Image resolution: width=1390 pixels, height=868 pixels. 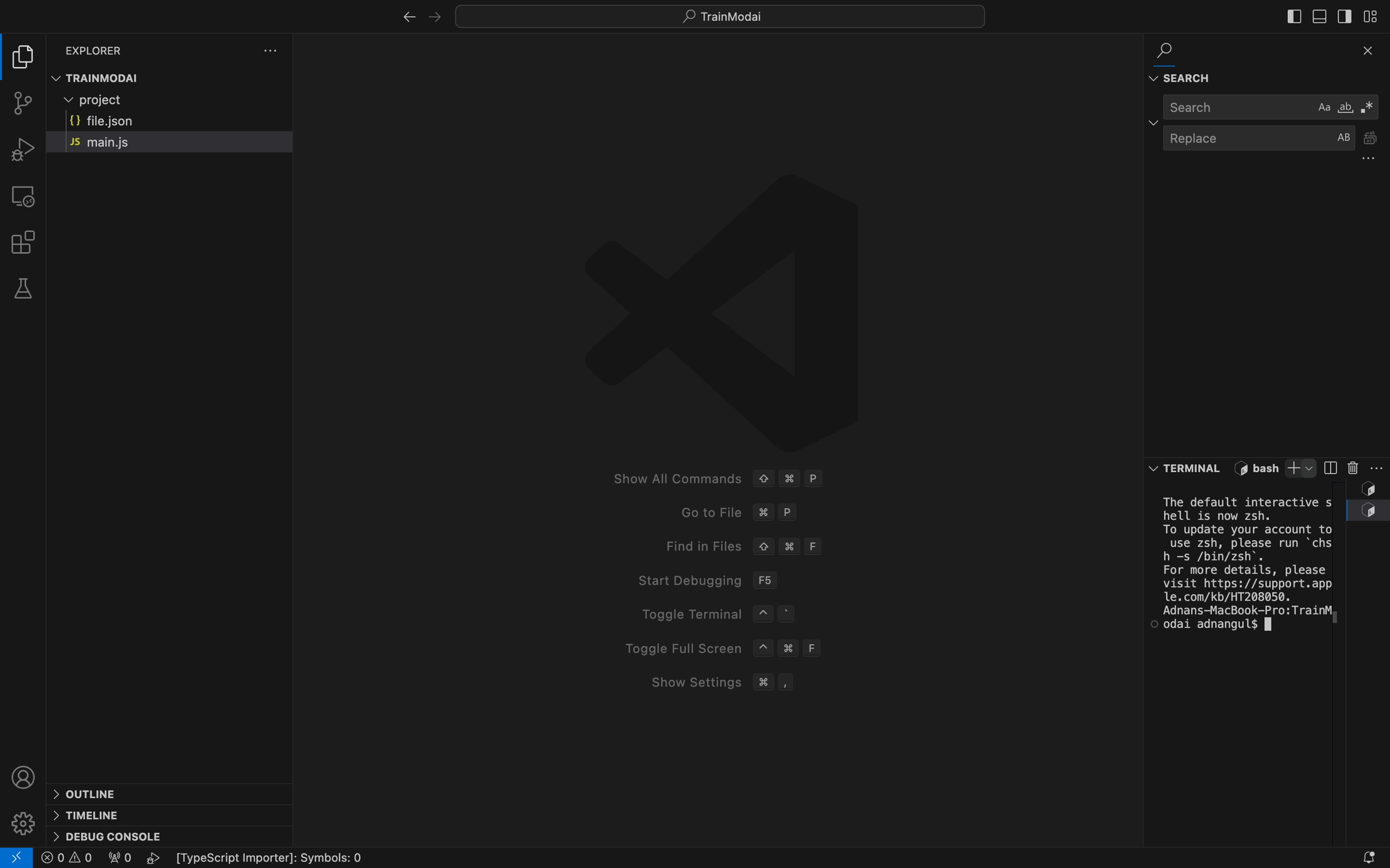 What do you see at coordinates (68, 858) in the screenshot?
I see `0` at bounding box center [68, 858].